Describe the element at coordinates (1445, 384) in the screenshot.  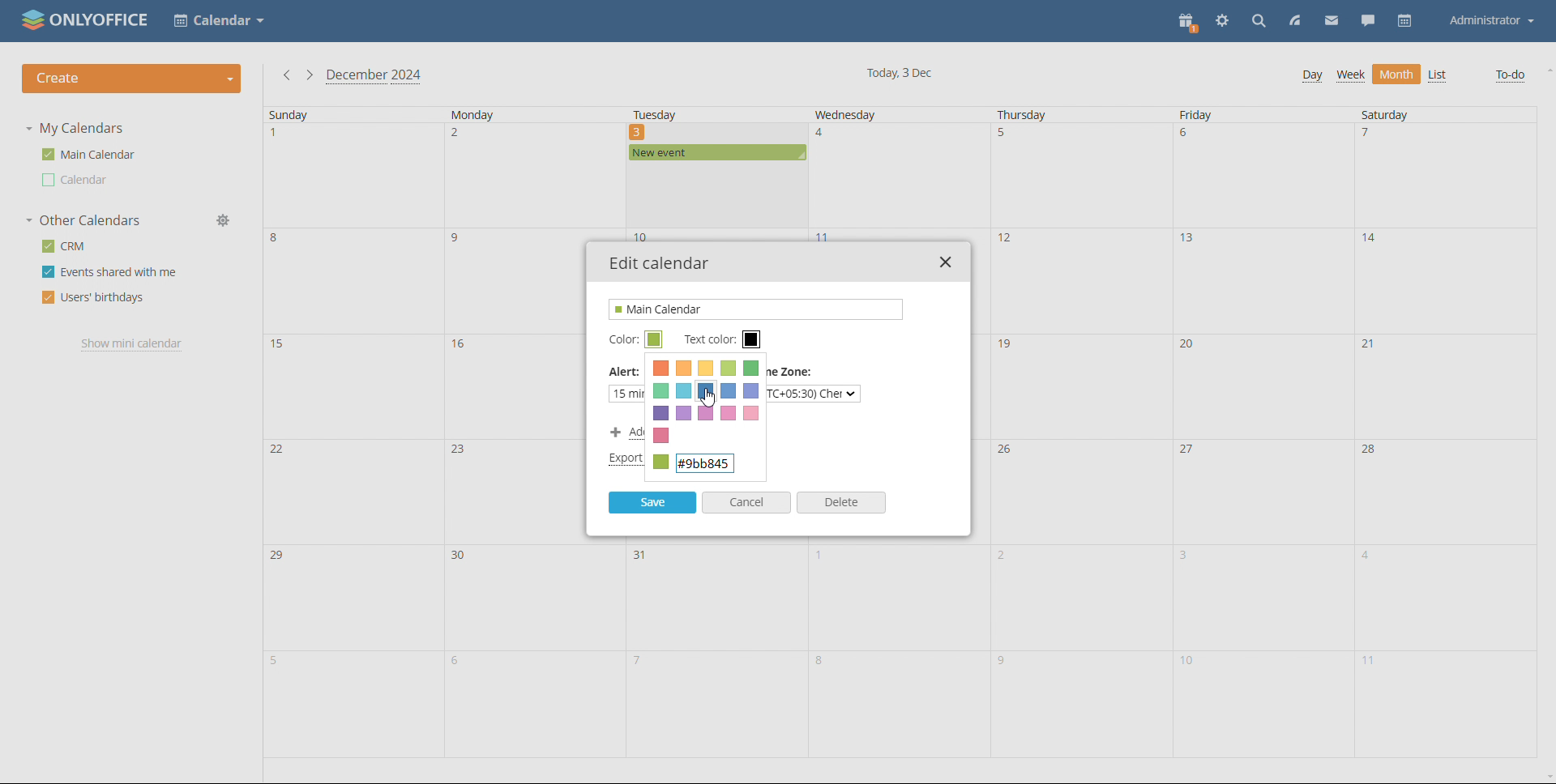
I see `date` at that location.